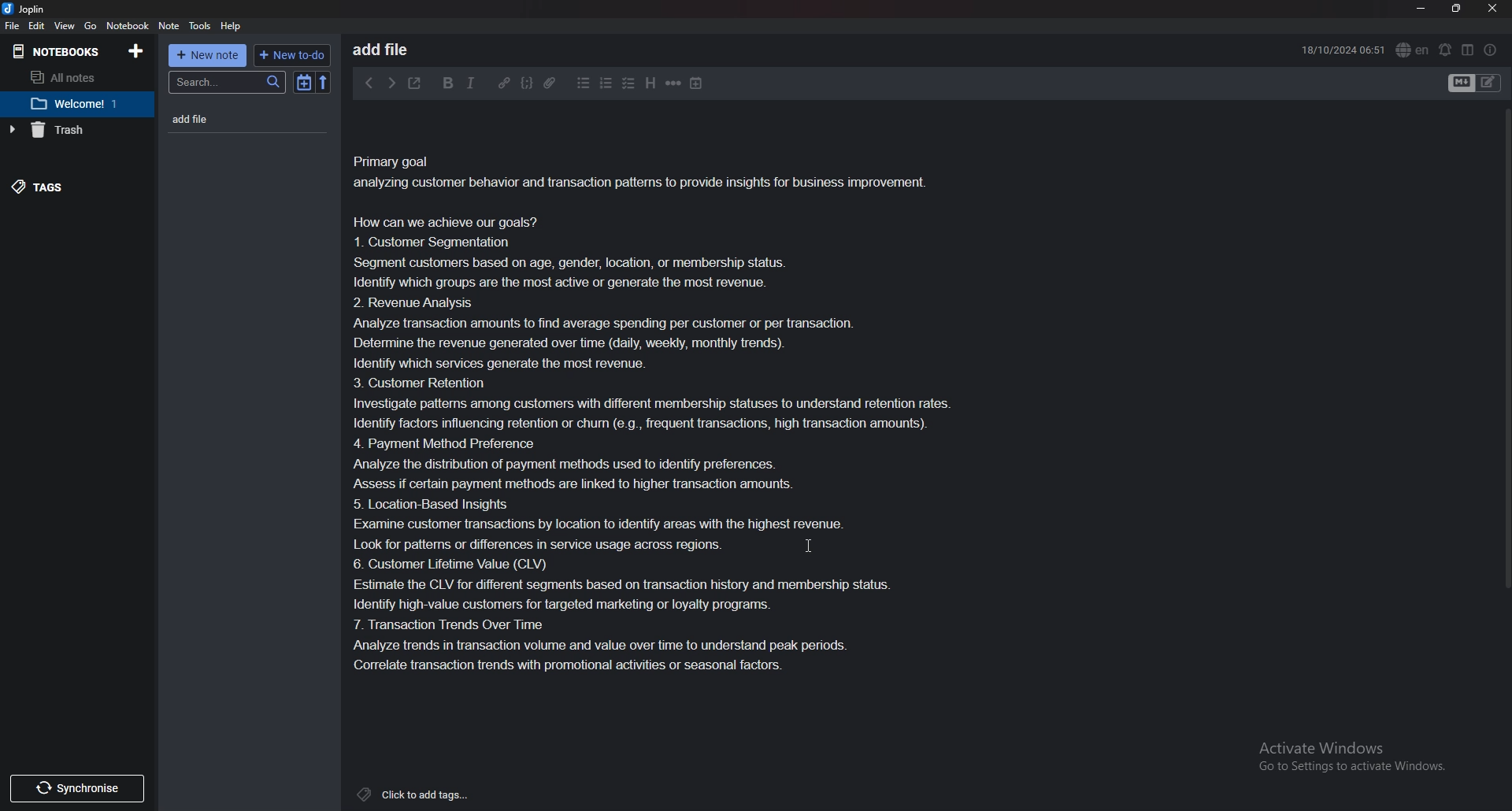  Describe the element at coordinates (1492, 49) in the screenshot. I see `Properties` at that location.